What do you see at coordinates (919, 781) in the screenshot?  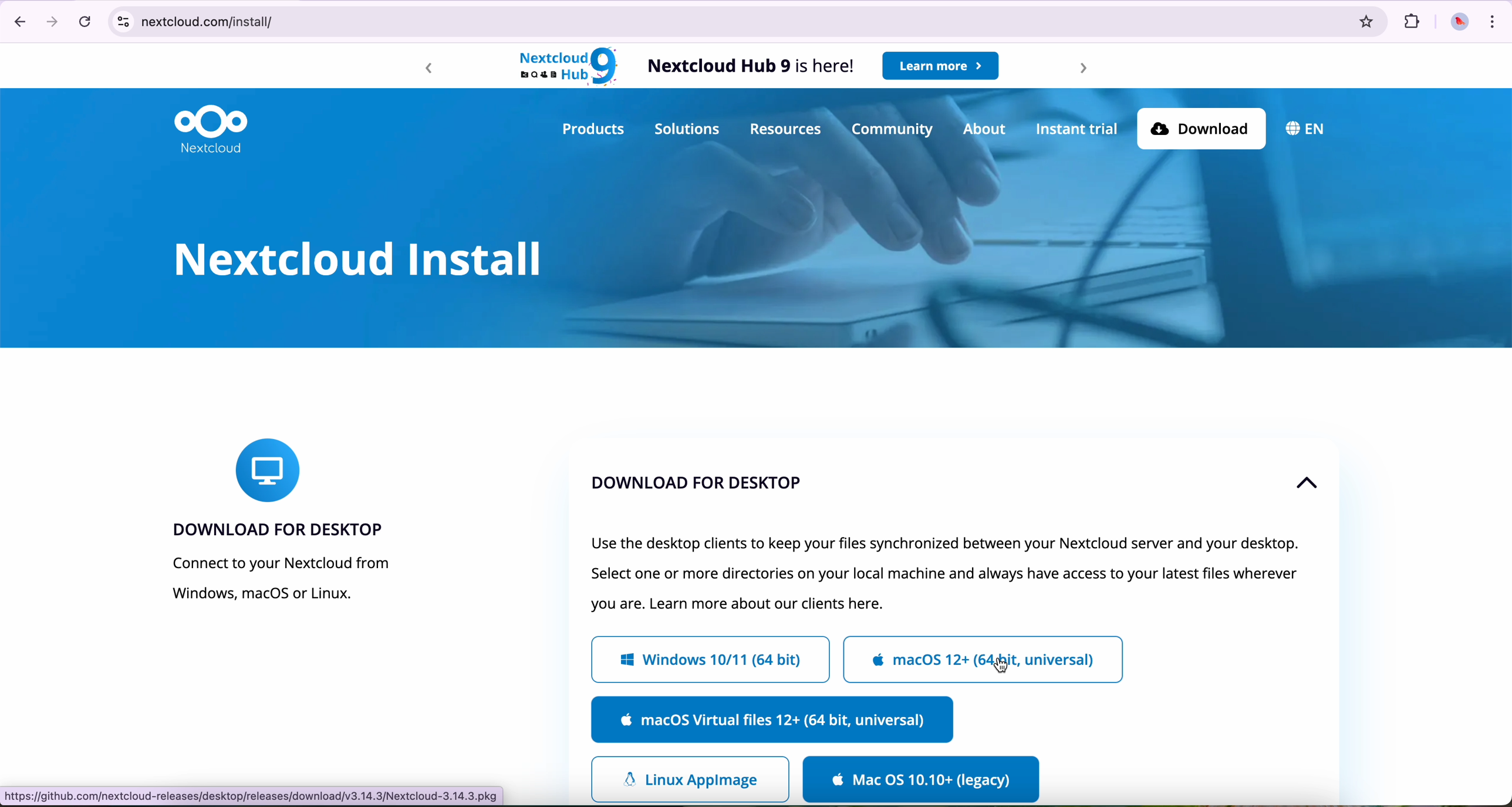 I see `download for Mac OS legacy` at bounding box center [919, 781].